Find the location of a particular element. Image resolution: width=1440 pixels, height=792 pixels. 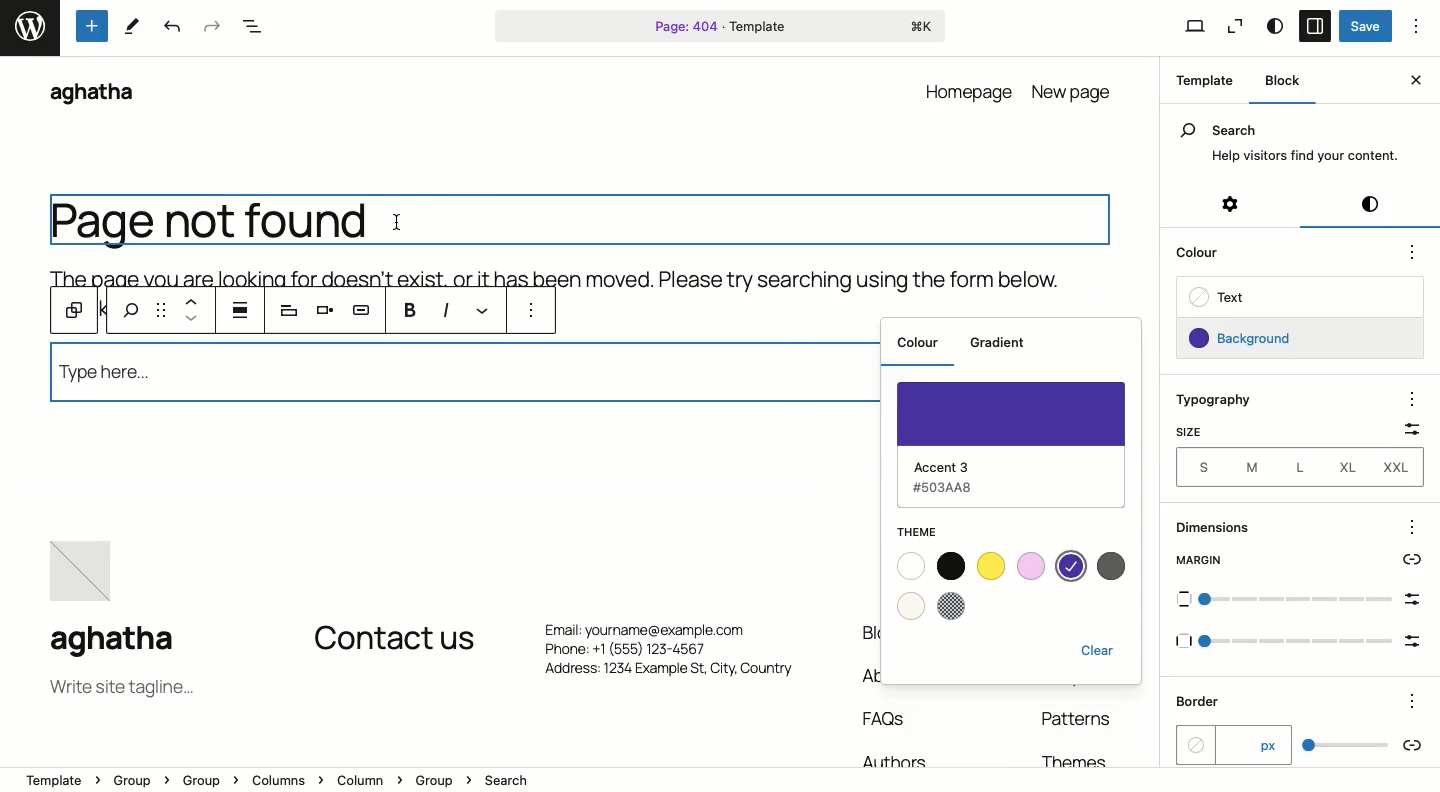

Authors is located at coordinates (889, 758).